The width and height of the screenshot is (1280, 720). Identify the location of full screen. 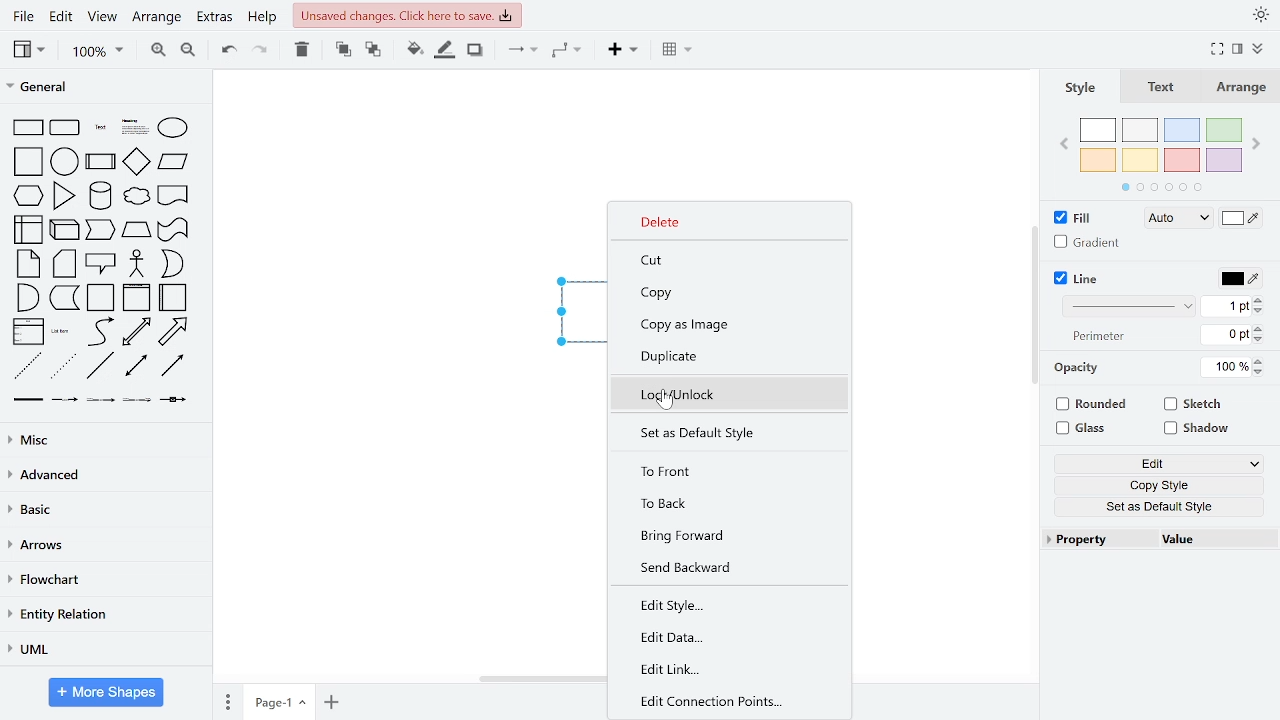
(1218, 48).